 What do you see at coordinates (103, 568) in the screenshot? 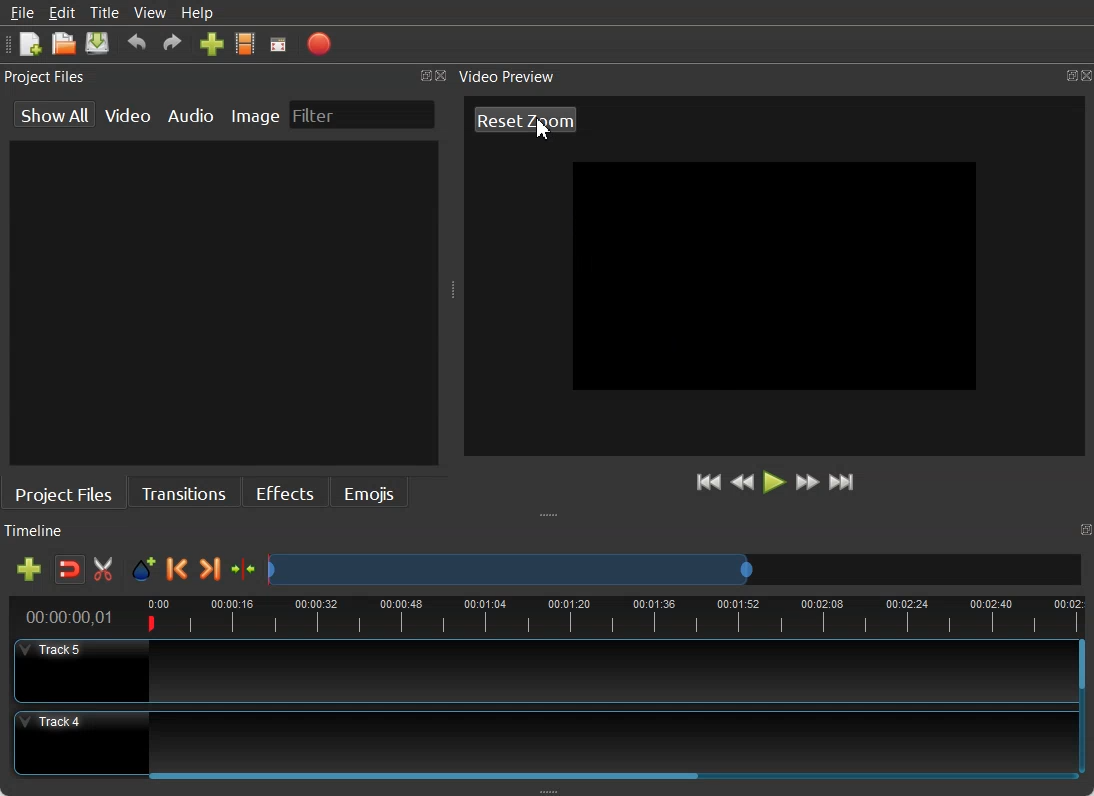
I see `Enable Razor` at bounding box center [103, 568].